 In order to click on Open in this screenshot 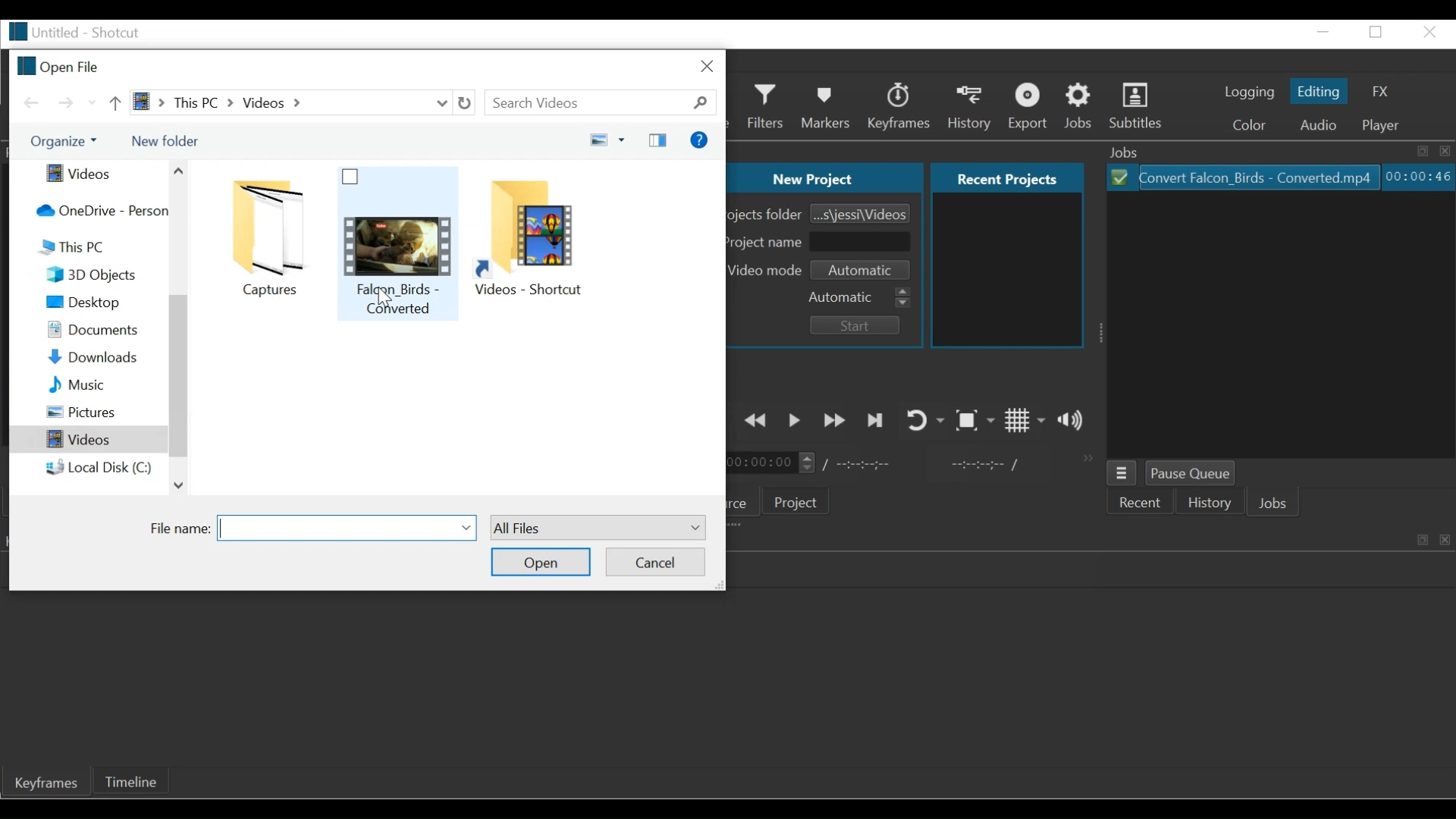, I will do `click(541, 561)`.